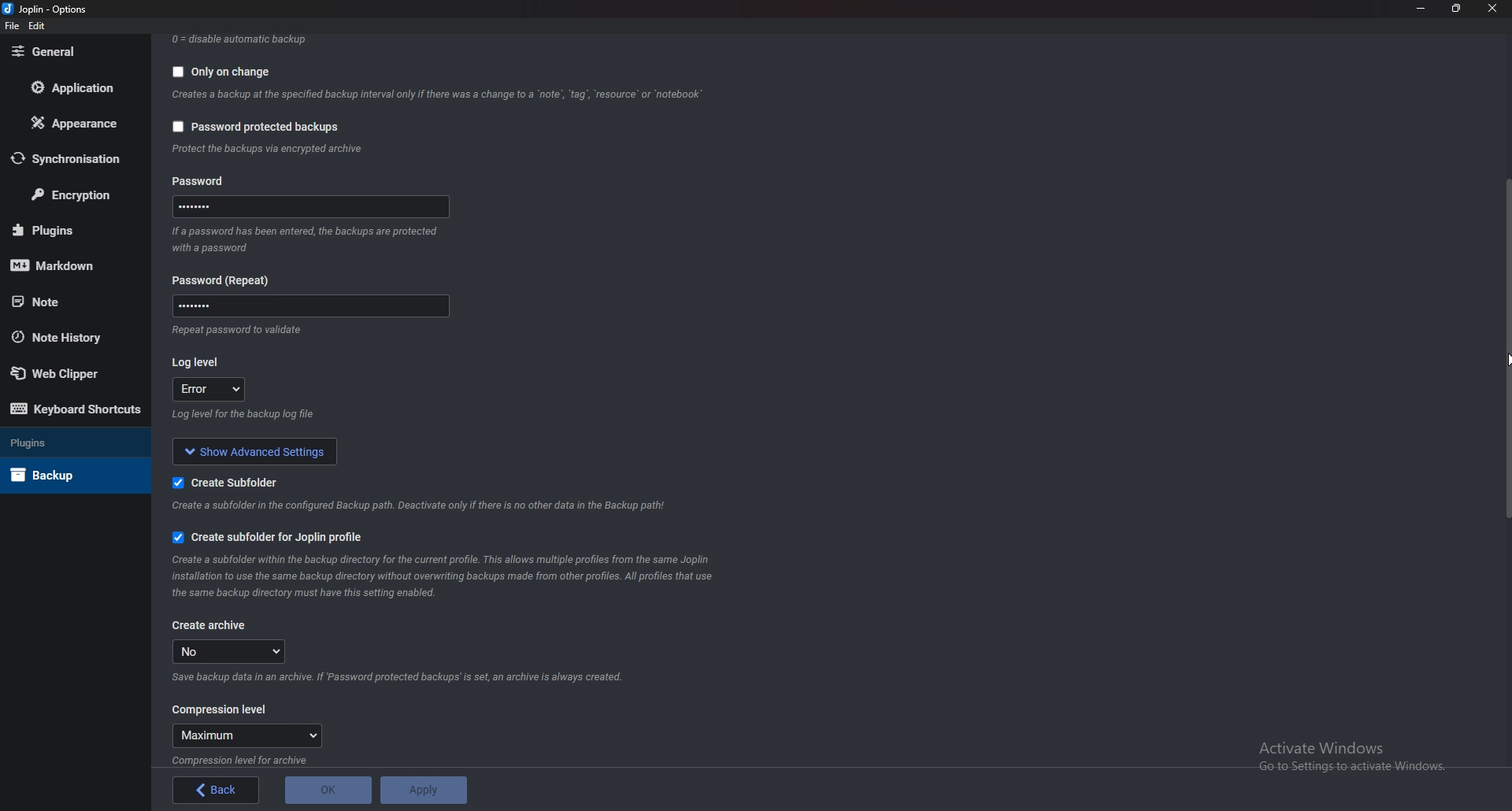 The image size is (1512, 811). I want to click on Keyboard shortcuts, so click(76, 411).